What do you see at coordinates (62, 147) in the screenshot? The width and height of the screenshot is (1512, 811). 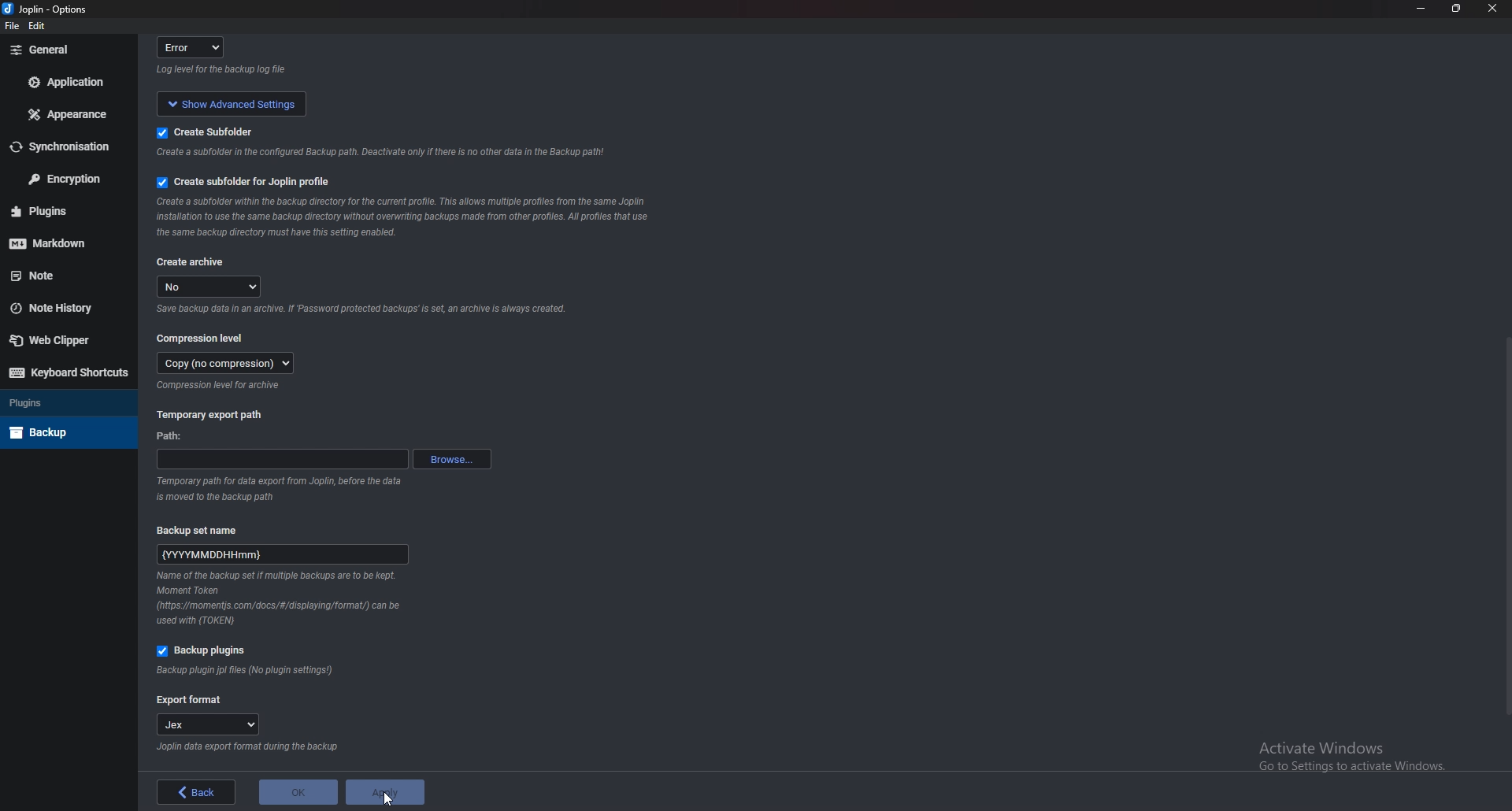 I see `Synchronization` at bounding box center [62, 147].